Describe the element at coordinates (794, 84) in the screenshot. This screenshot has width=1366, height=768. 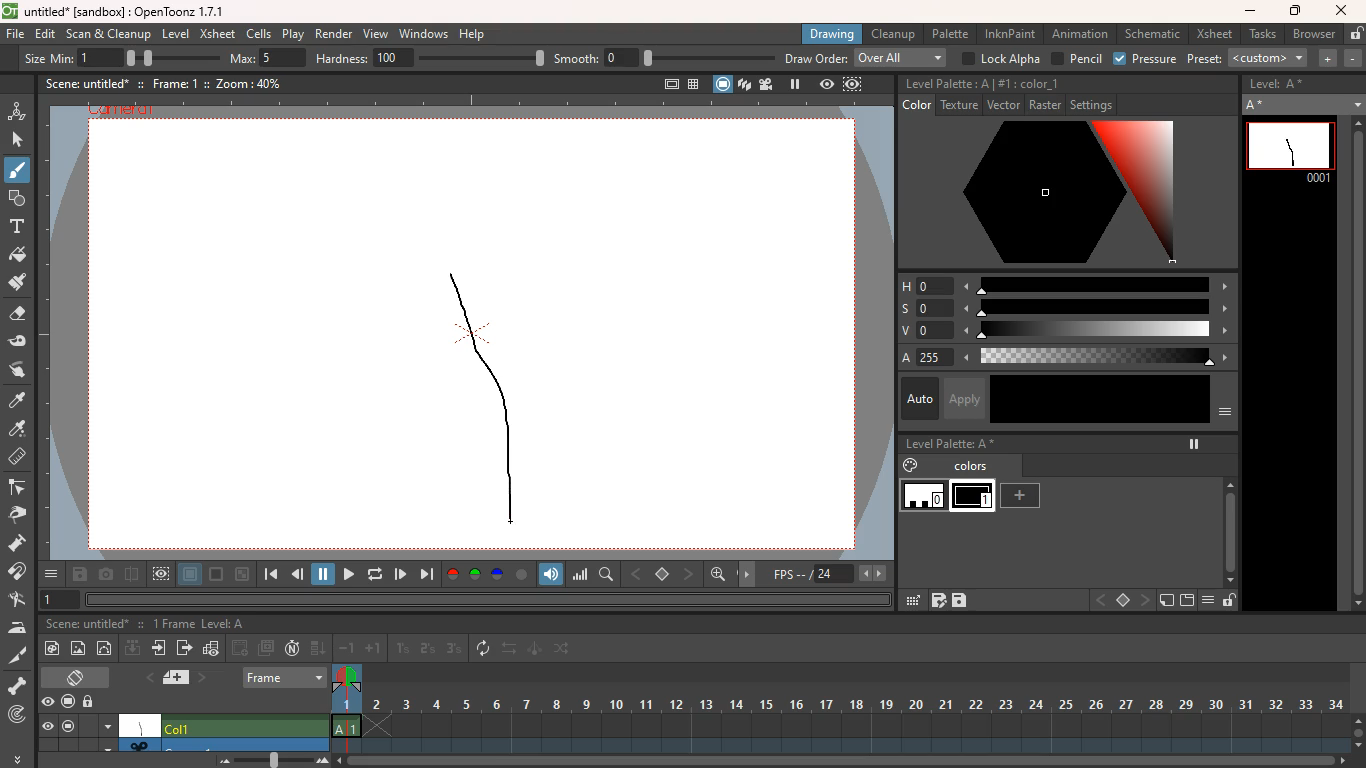
I see `pause` at that location.